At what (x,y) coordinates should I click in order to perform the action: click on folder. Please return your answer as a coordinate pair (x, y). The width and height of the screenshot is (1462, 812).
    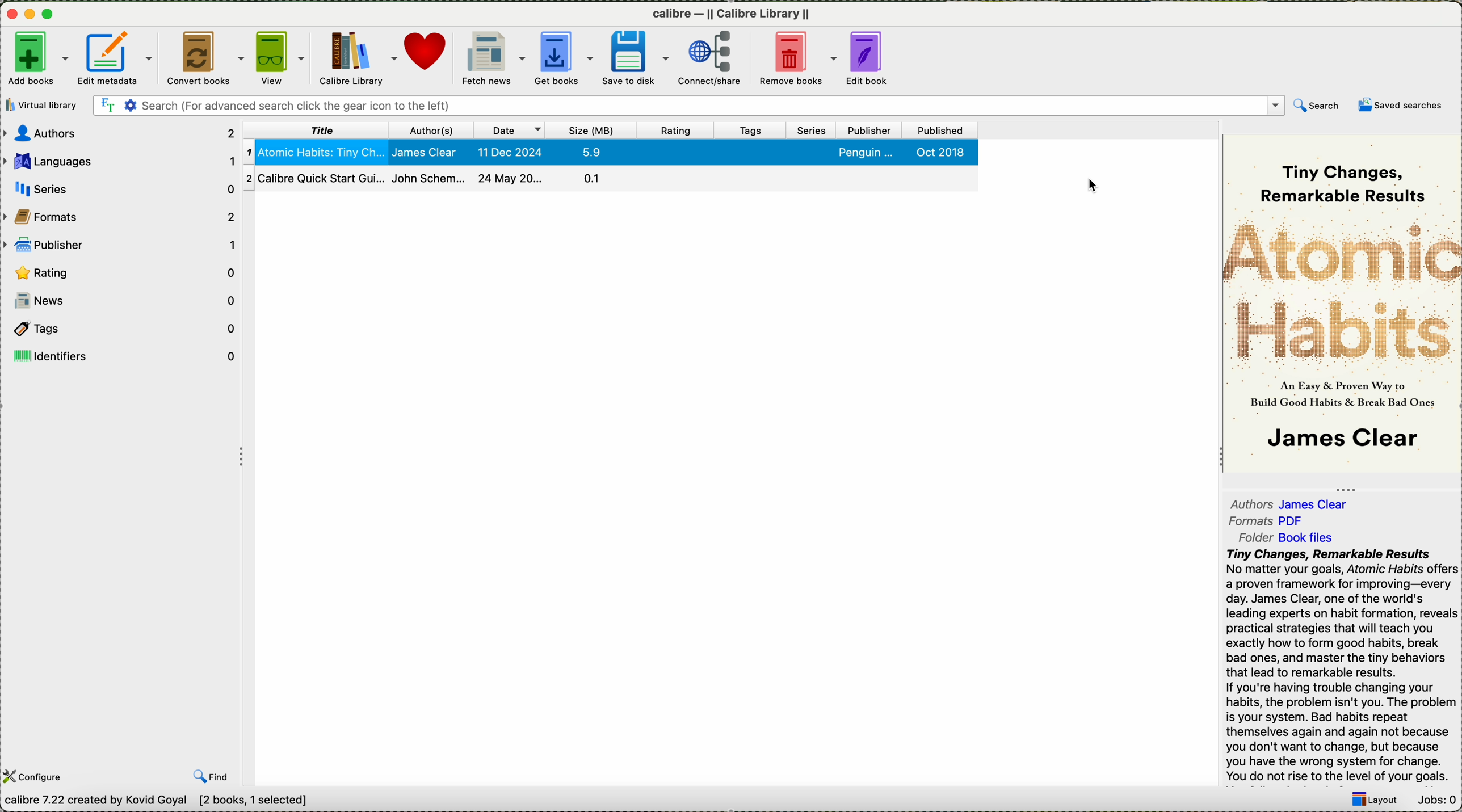
    Looking at the image, I should click on (1288, 539).